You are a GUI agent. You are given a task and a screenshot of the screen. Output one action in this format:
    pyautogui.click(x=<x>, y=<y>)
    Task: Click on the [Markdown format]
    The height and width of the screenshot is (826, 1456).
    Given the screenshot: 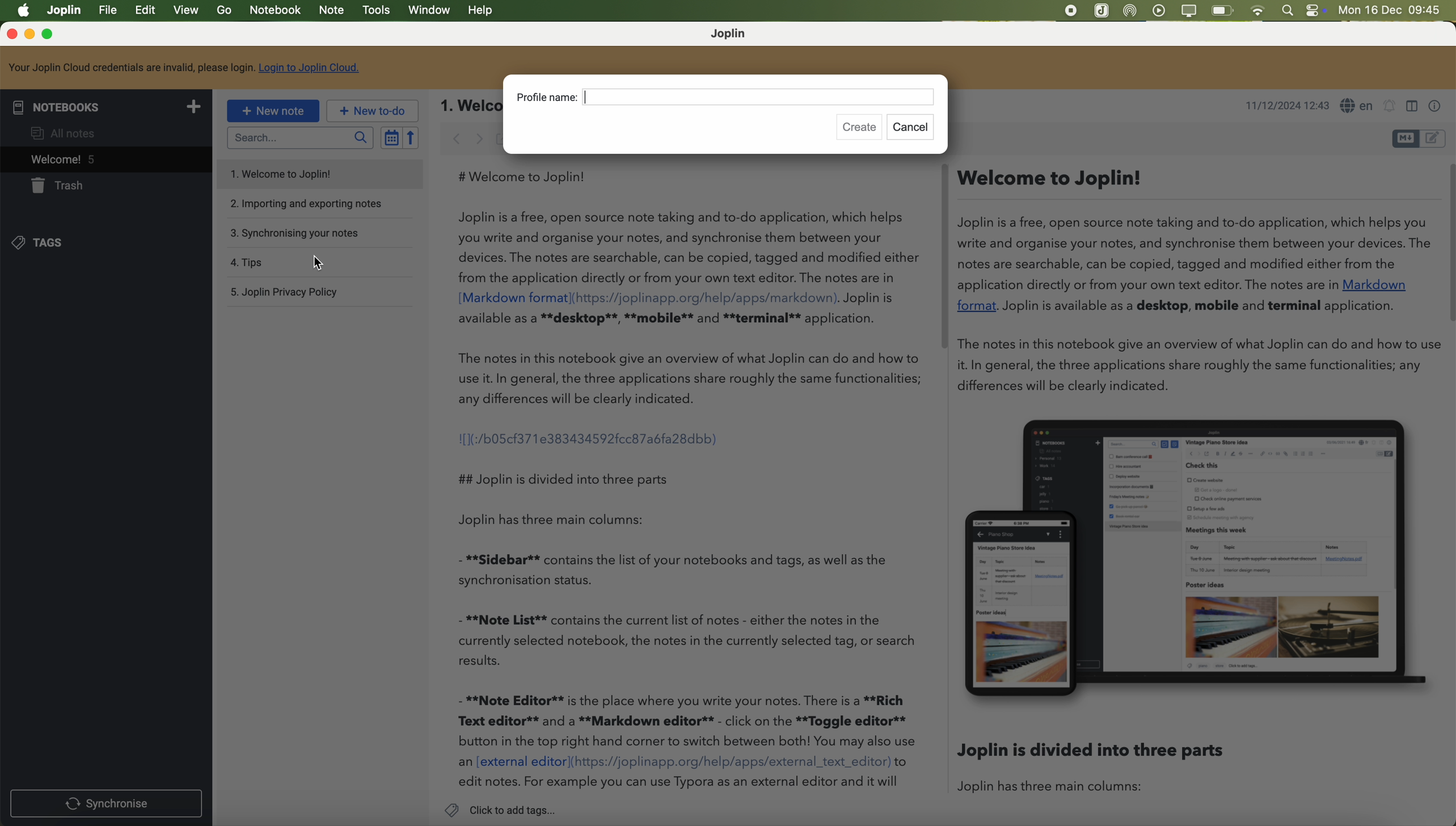 What is the action you would take?
    pyautogui.click(x=513, y=298)
    